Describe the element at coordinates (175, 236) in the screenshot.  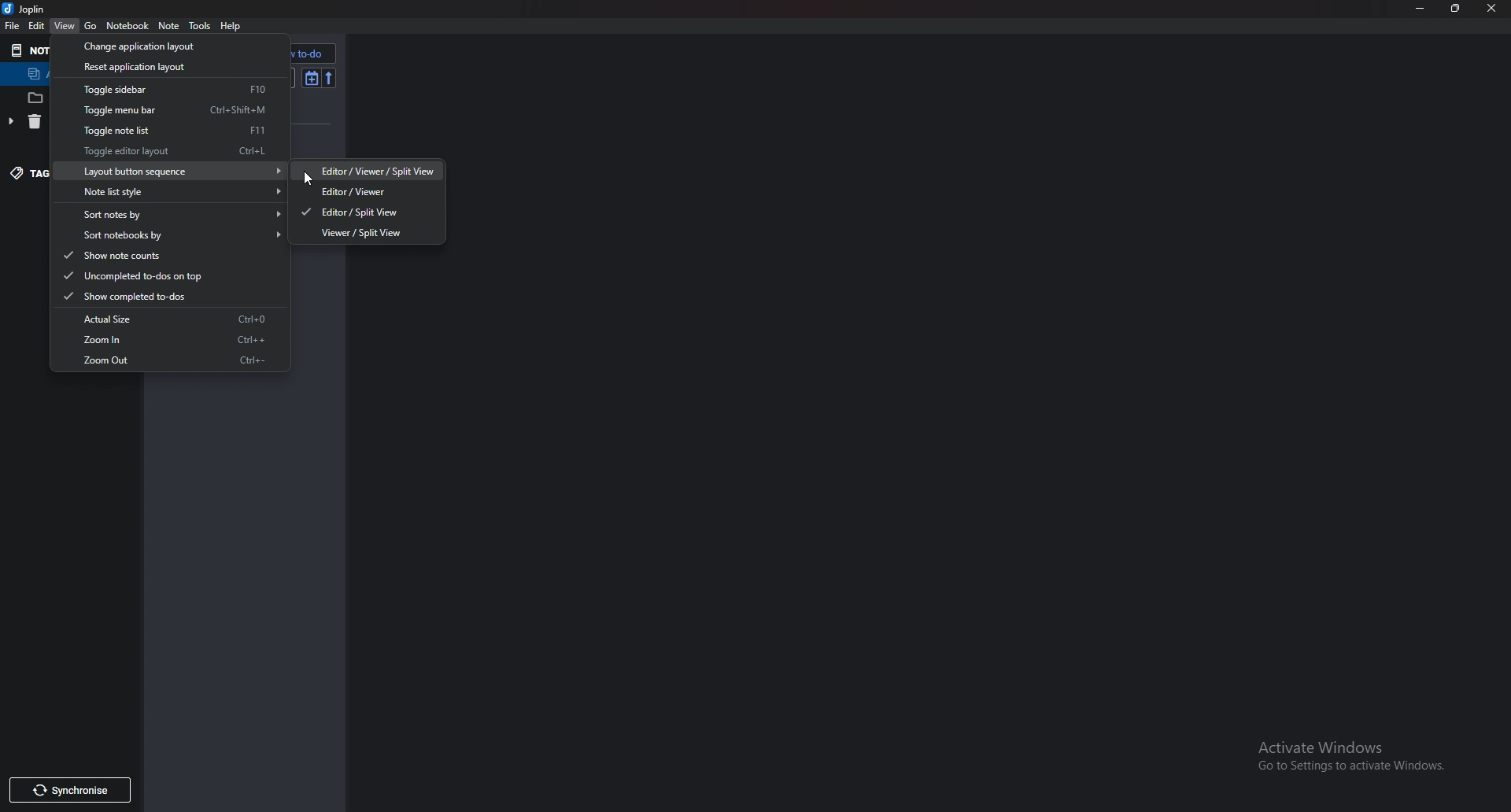
I see `Sort notebooks by` at that location.